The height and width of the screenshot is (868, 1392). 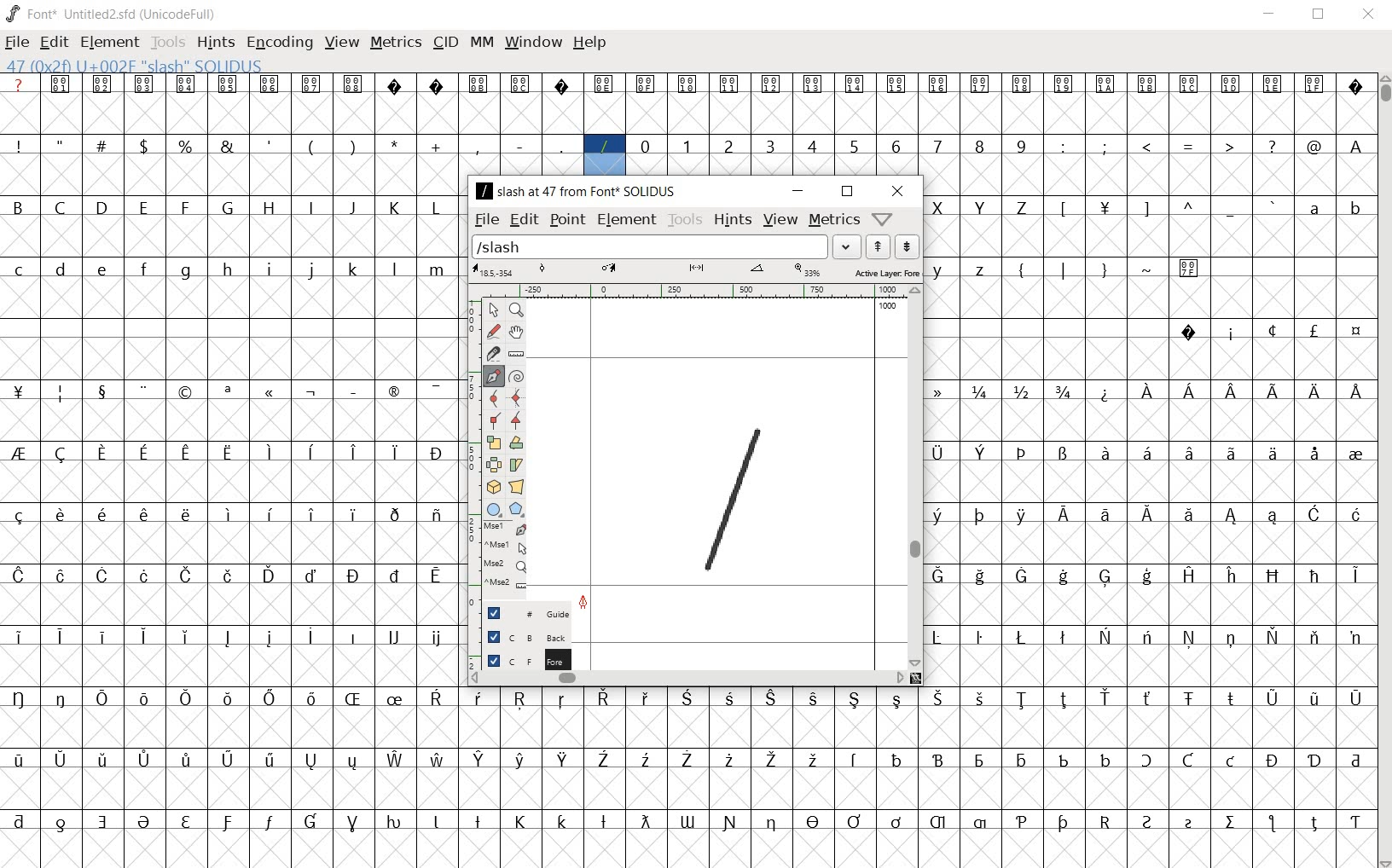 What do you see at coordinates (884, 218) in the screenshot?
I see `Help/Window` at bounding box center [884, 218].